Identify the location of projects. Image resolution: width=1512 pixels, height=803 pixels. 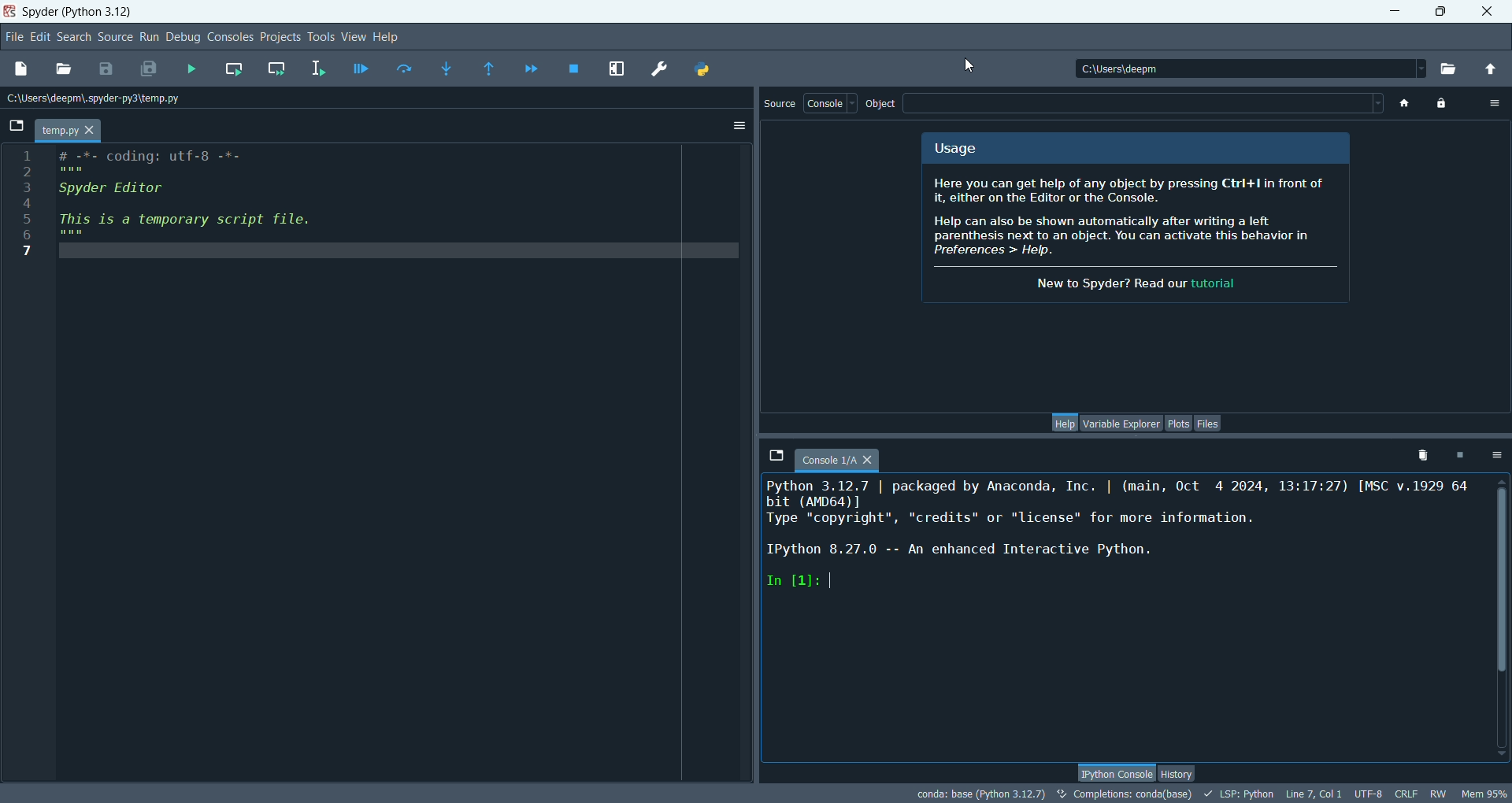
(283, 36).